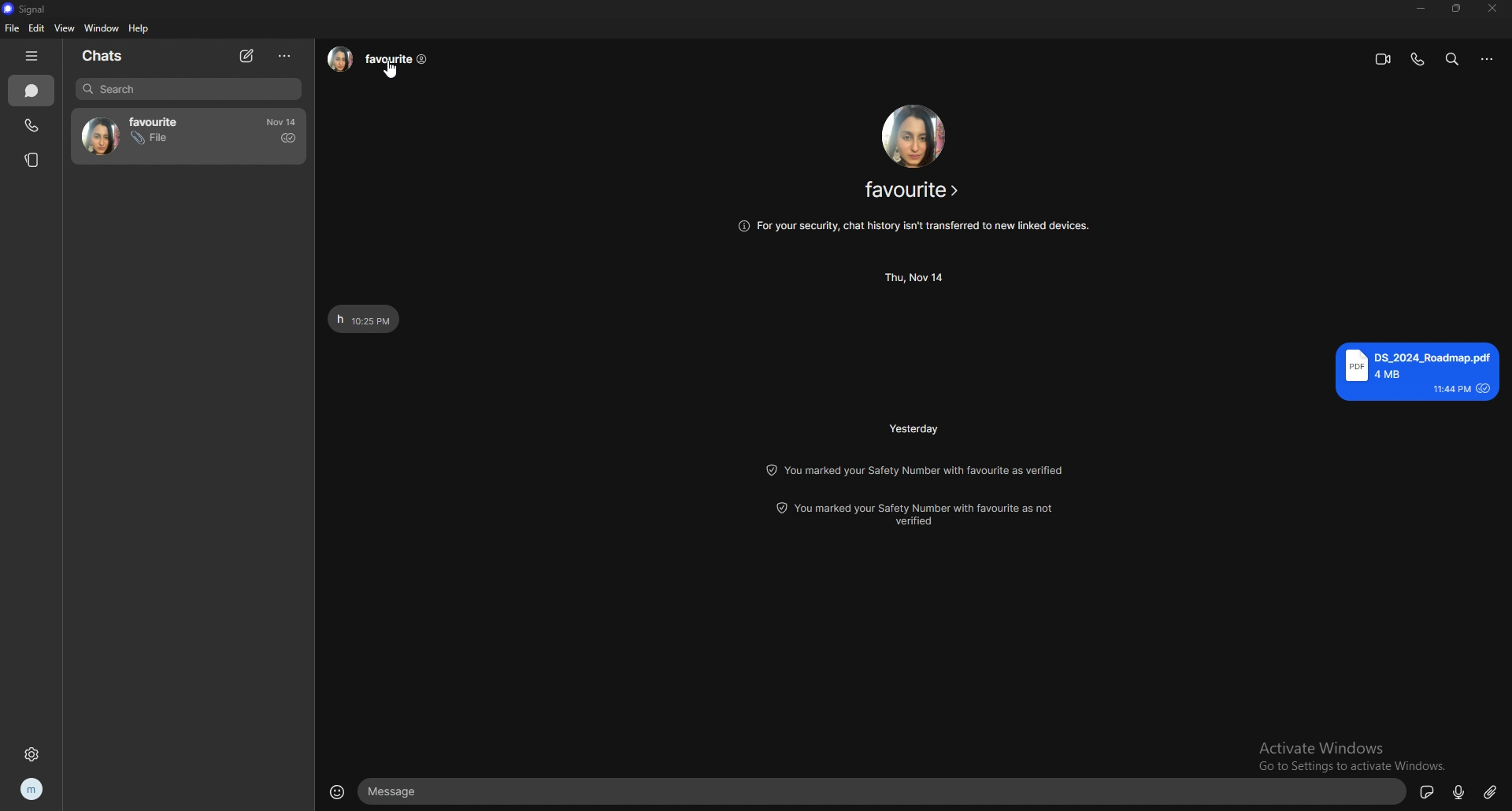 The height and width of the screenshot is (811, 1512). I want to click on window, so click(102, 28).